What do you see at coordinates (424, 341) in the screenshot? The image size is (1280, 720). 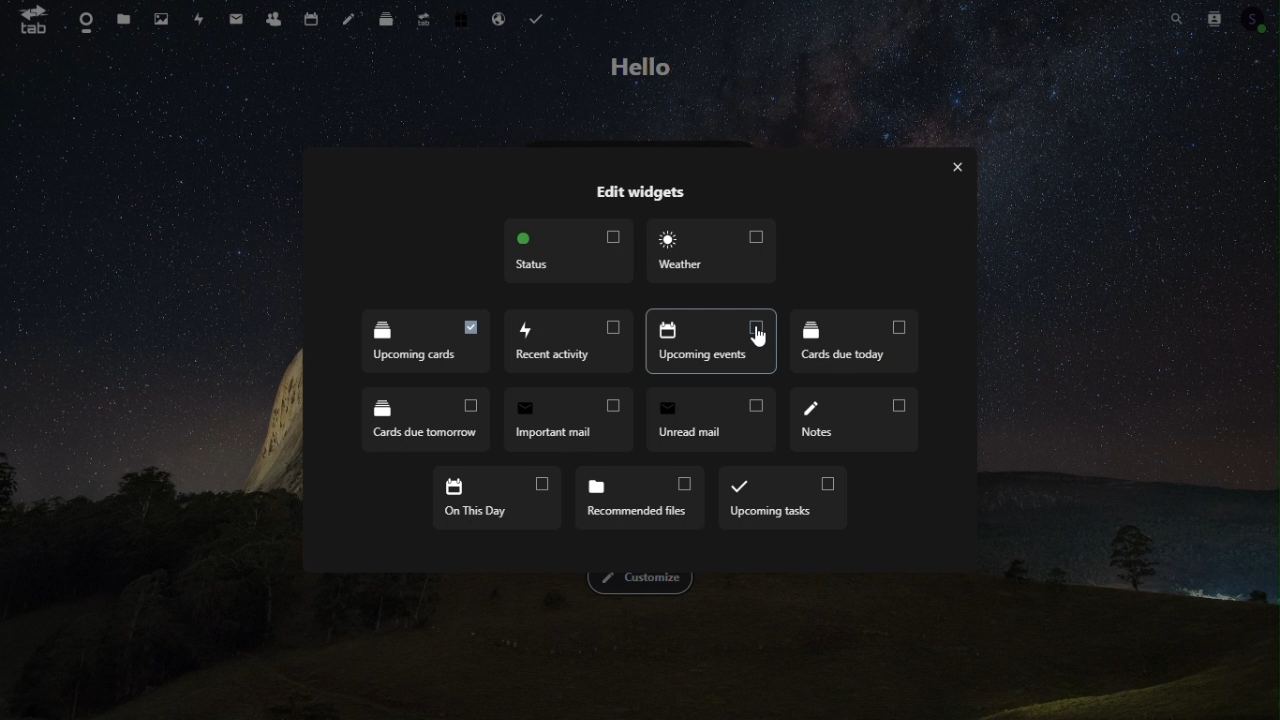 I see `Recent activity` at bounding box center [424, 341].